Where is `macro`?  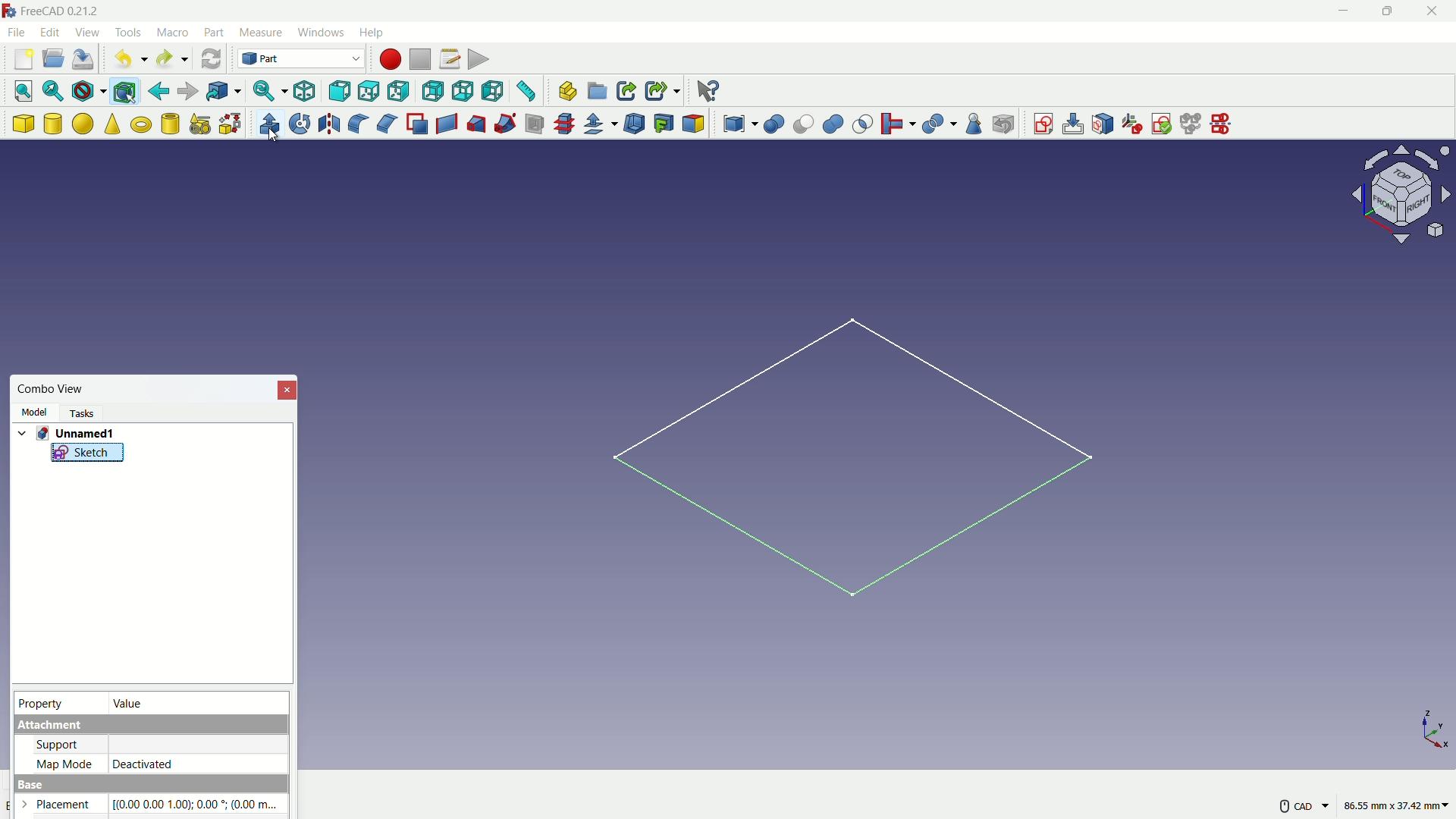 macro is located at coordinates (173, 33).